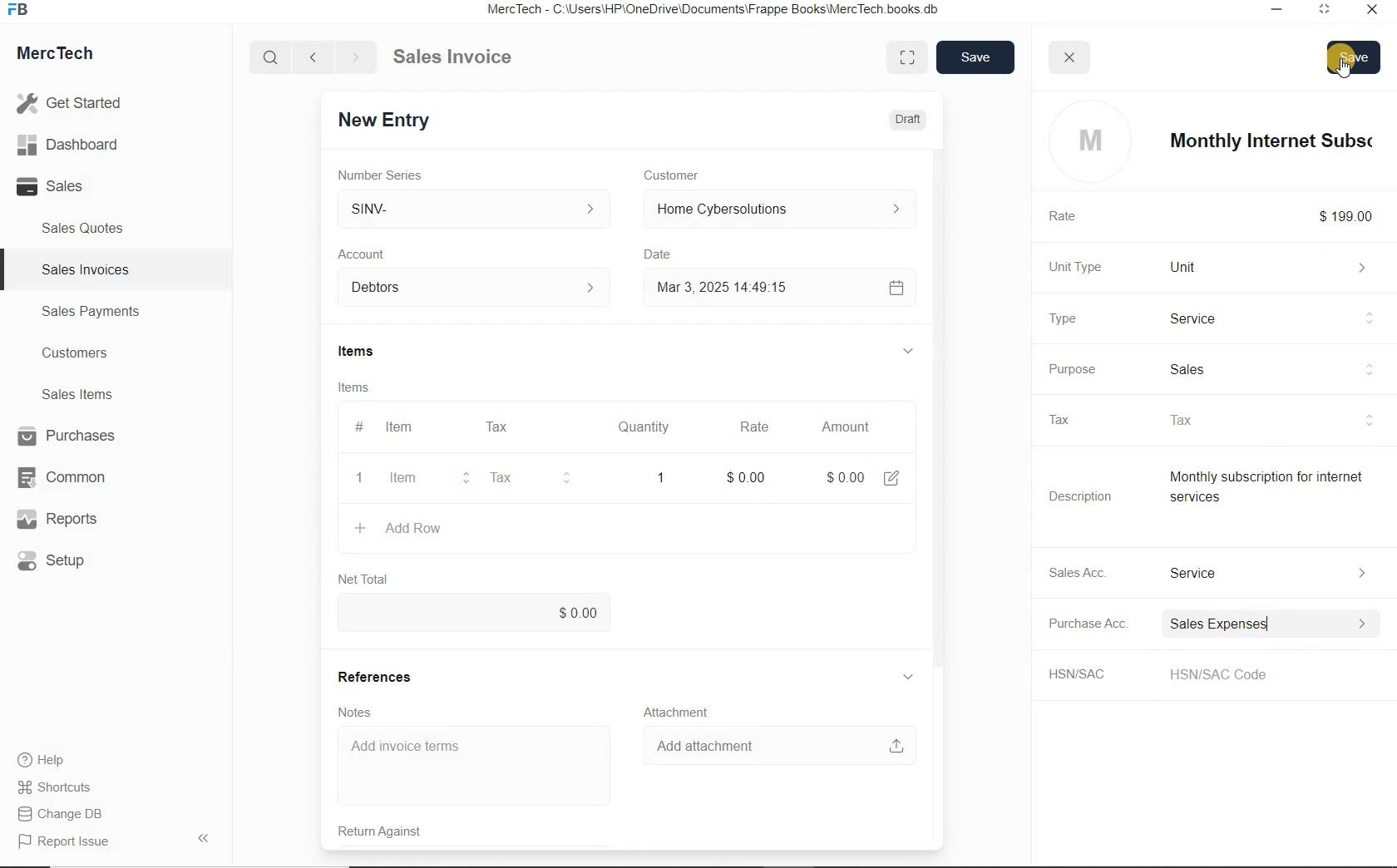 This screenshot has width=1397, height=868. I want to click on Amount: $0.00, so click(841, 476).